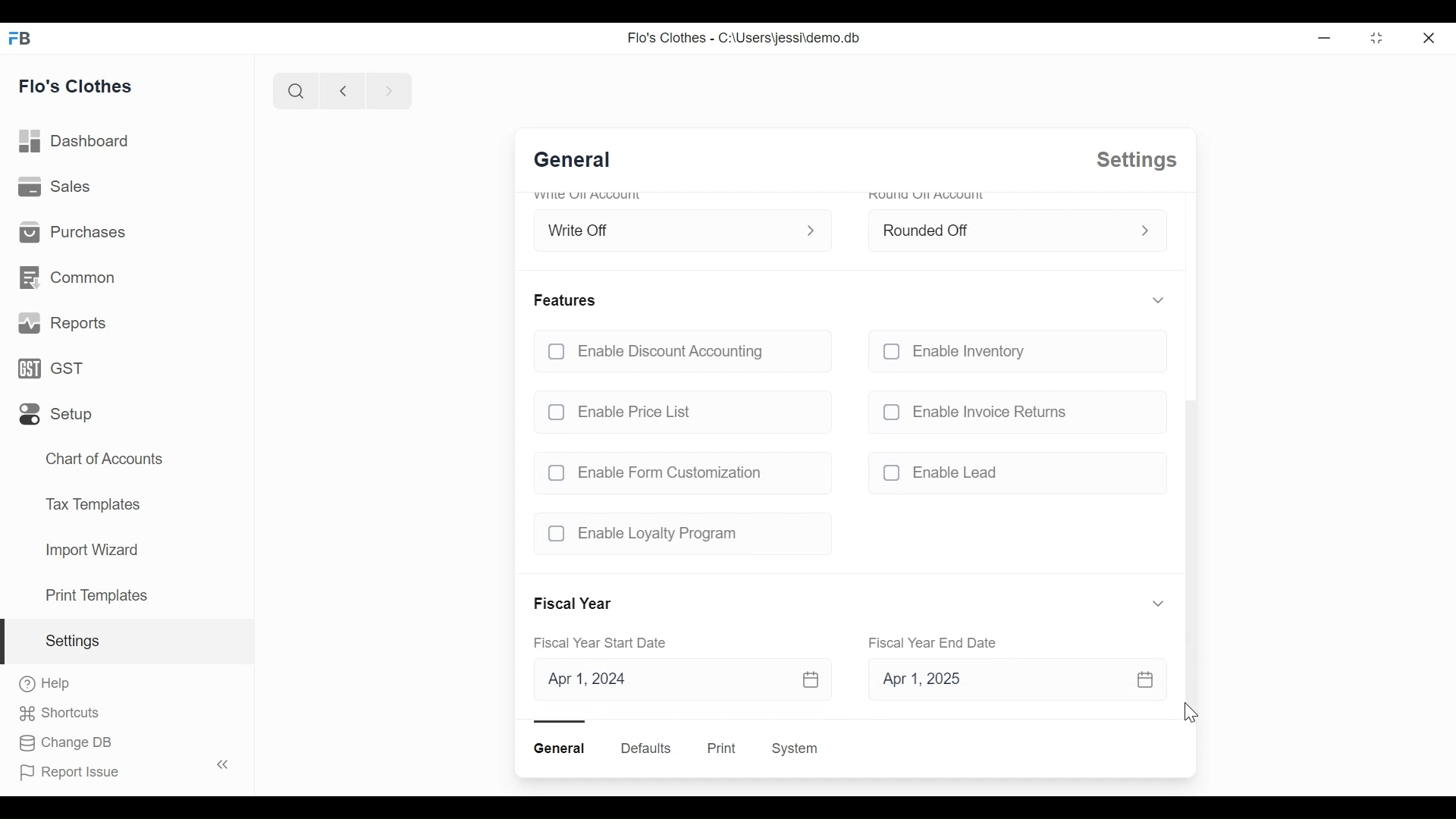 This screenshot has height=819, width=1456. What do you see at coordinates (121, 769) in the screenshot?
I see `Report Issue` at bounding box center [121, 769].